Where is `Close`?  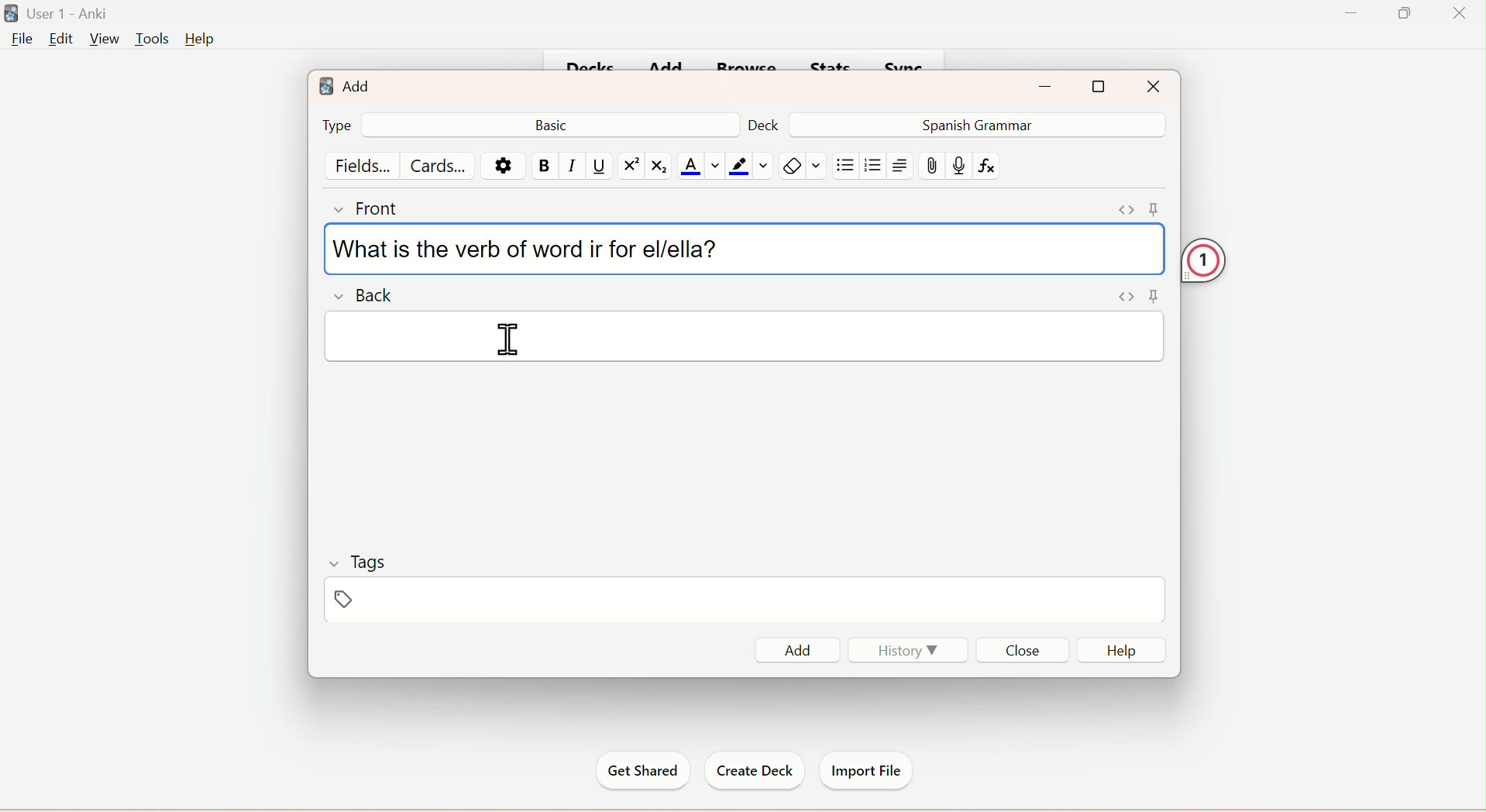 Close is located at coordinates (1021, 649).